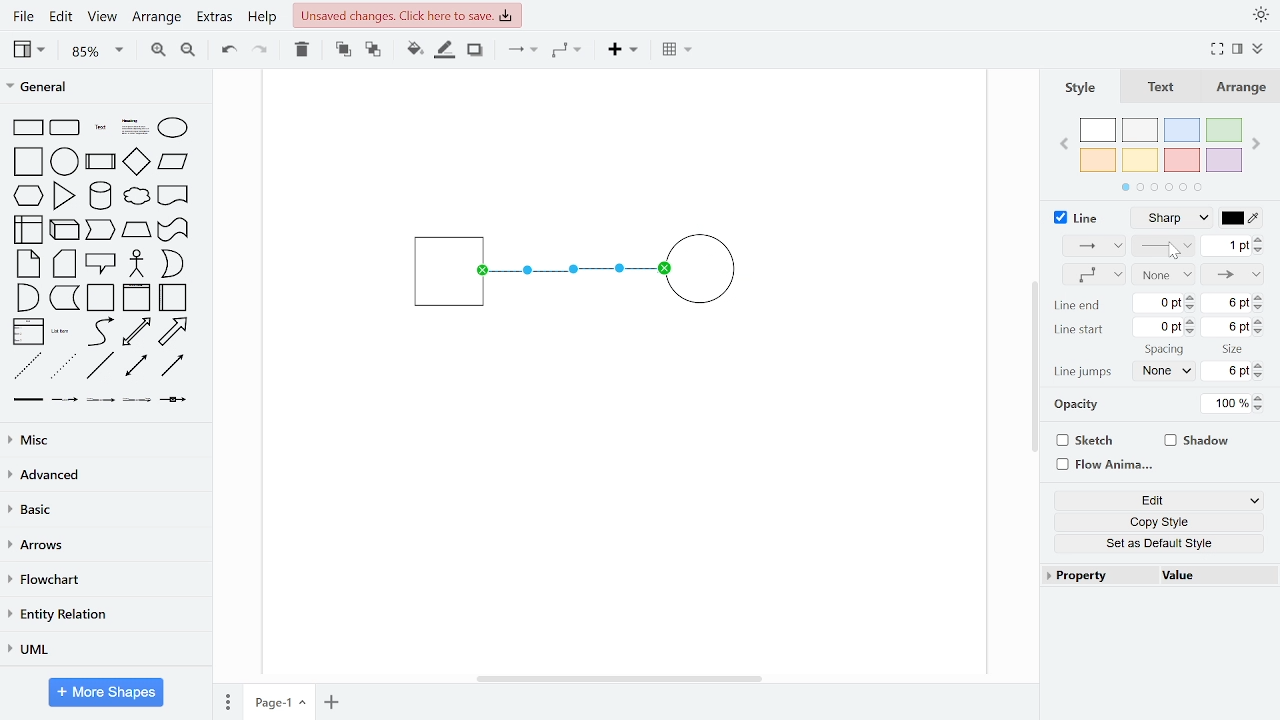  Describe the element at coordinates (136, 229) in the screenshot. I see `trapezoid` at that location.